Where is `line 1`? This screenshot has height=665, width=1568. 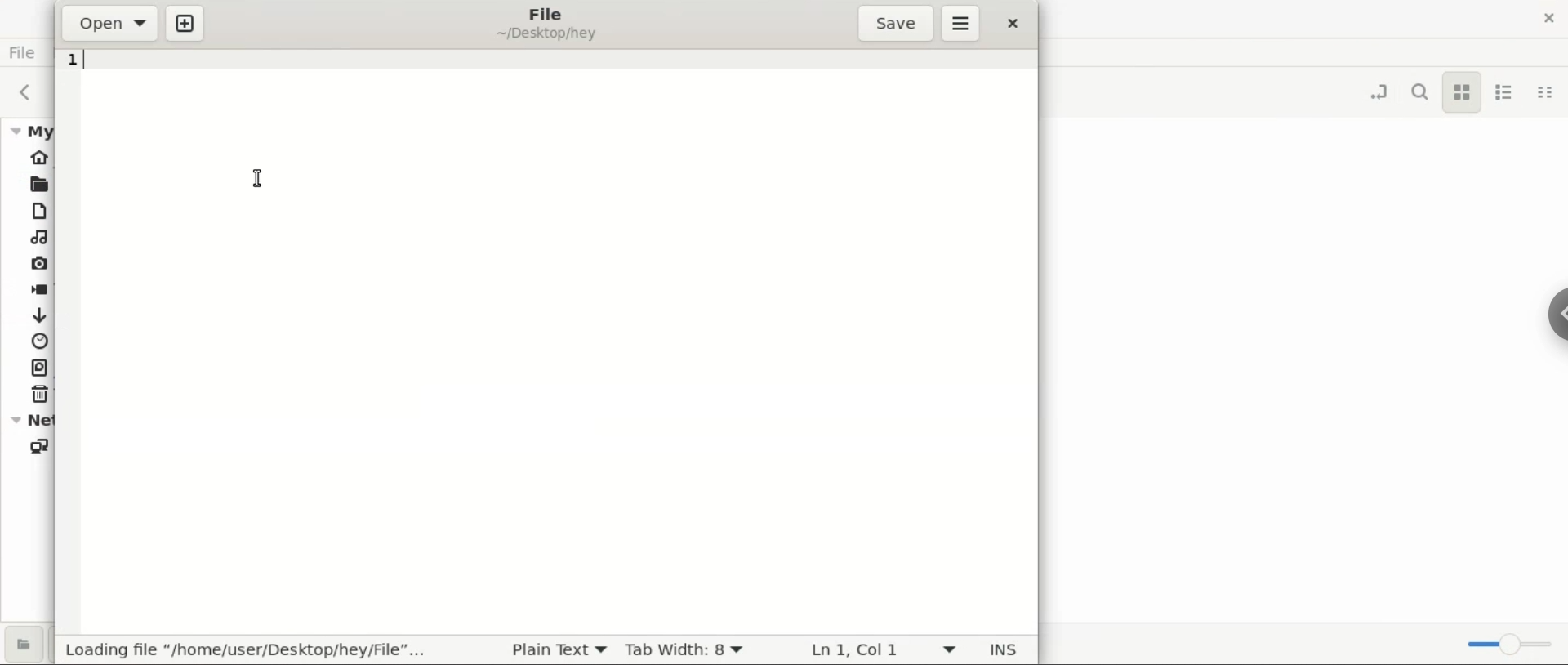 line 1 is located at coordinates (77, 60).